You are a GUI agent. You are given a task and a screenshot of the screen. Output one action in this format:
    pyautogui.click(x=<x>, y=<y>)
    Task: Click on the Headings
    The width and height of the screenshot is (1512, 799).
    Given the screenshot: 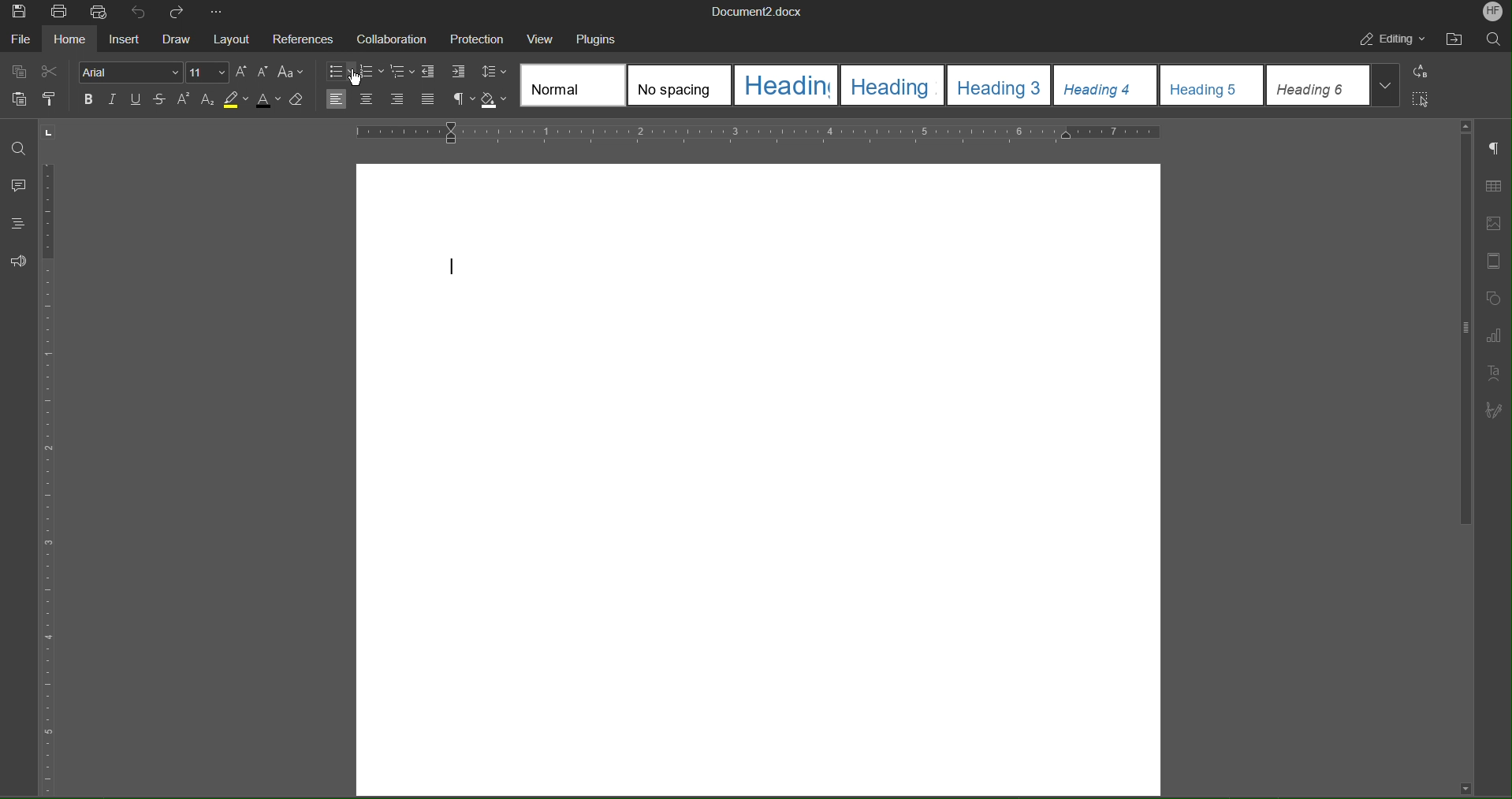 What is the action you would take?
    pyautogui.click(x=18, y=222)
    